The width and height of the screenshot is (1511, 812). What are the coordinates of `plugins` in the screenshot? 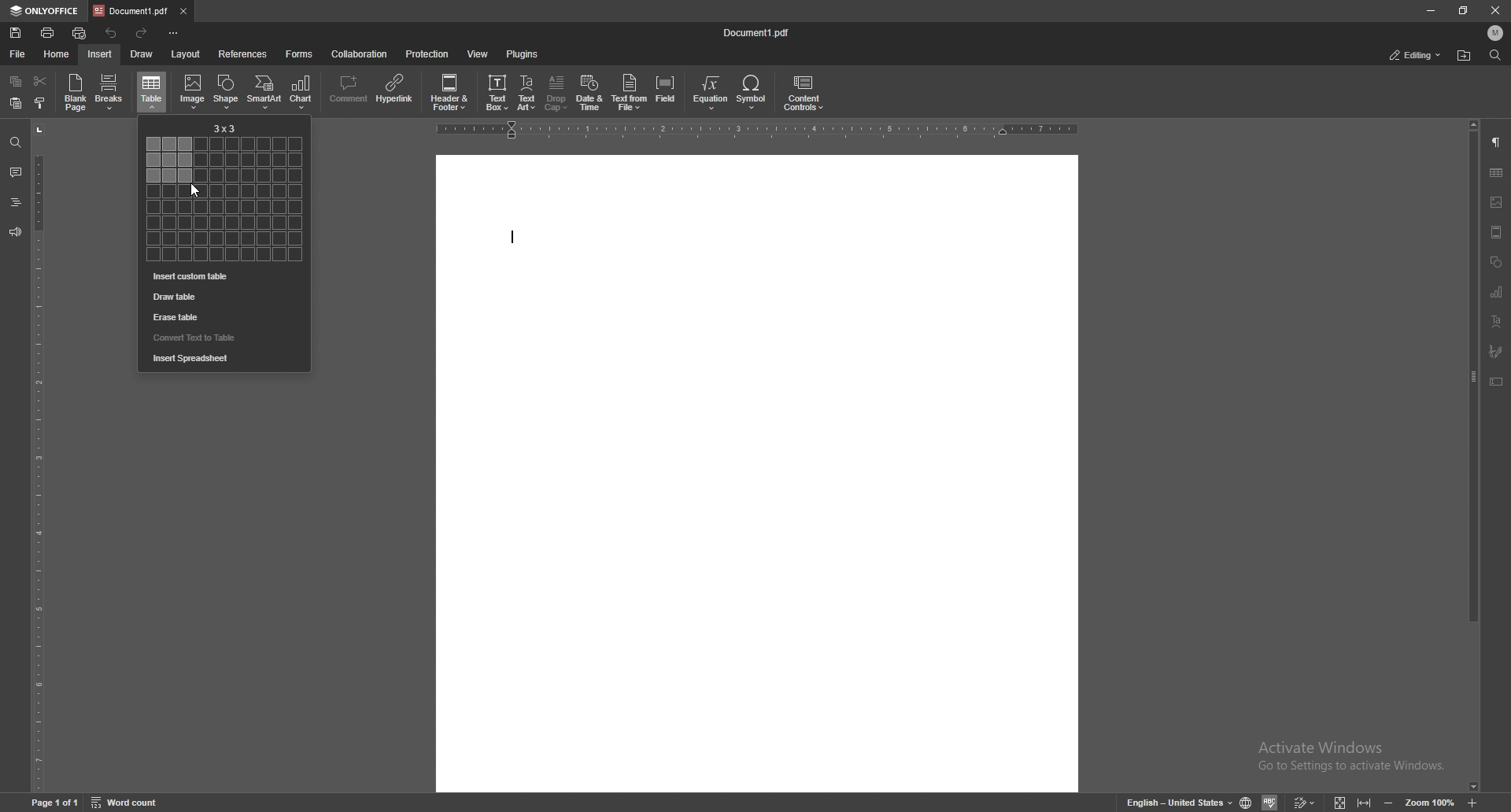 It's located at (524, 54).